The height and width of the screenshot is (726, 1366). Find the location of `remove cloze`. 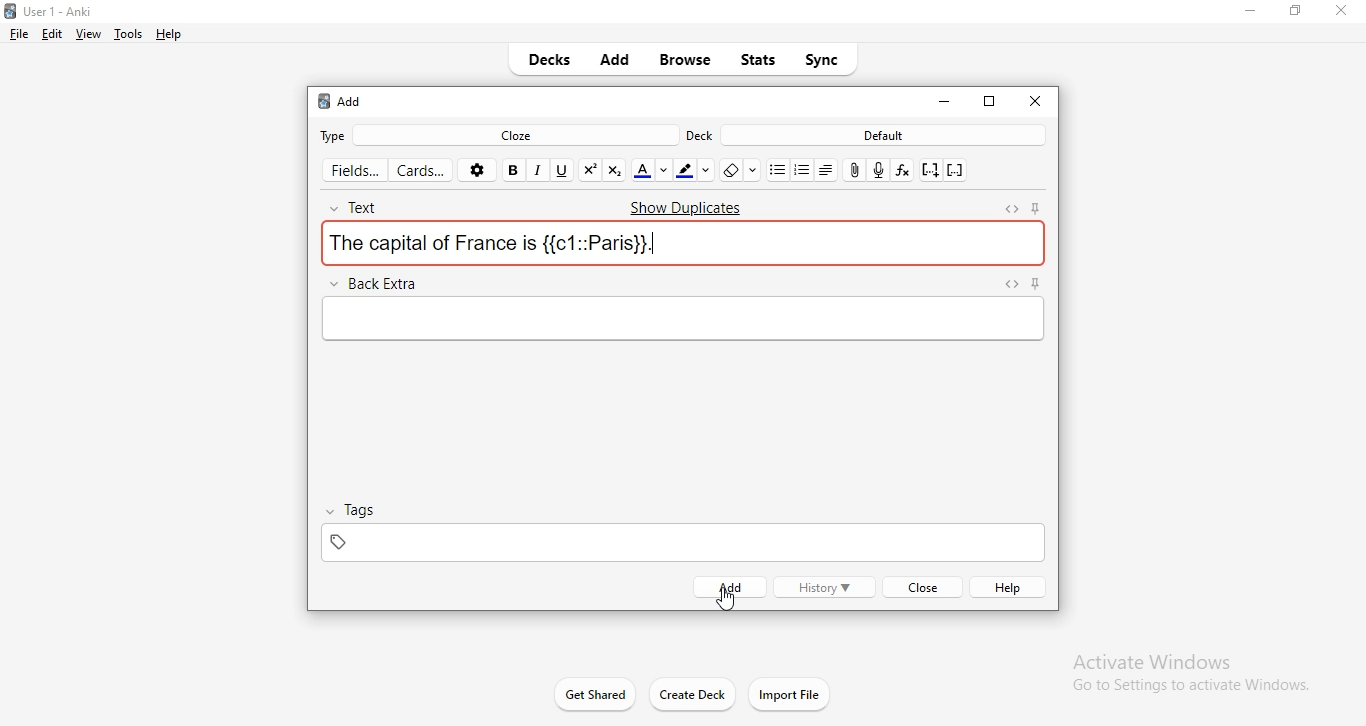

remove cloze is located at coordinates (956, 171).